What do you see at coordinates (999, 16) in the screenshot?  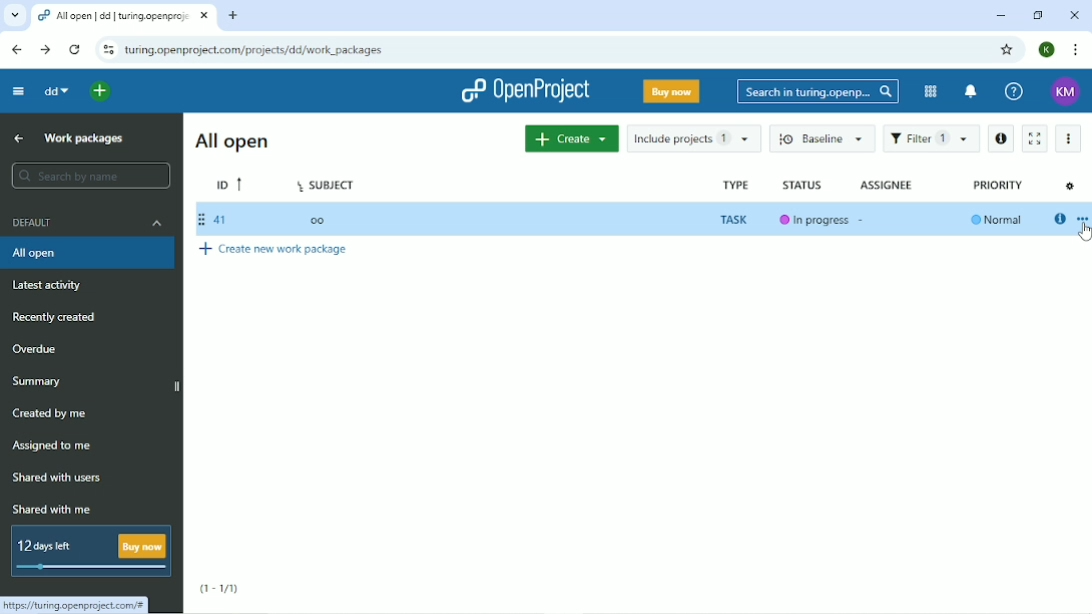 I see `Minimize` at bounding box center [999, 16].